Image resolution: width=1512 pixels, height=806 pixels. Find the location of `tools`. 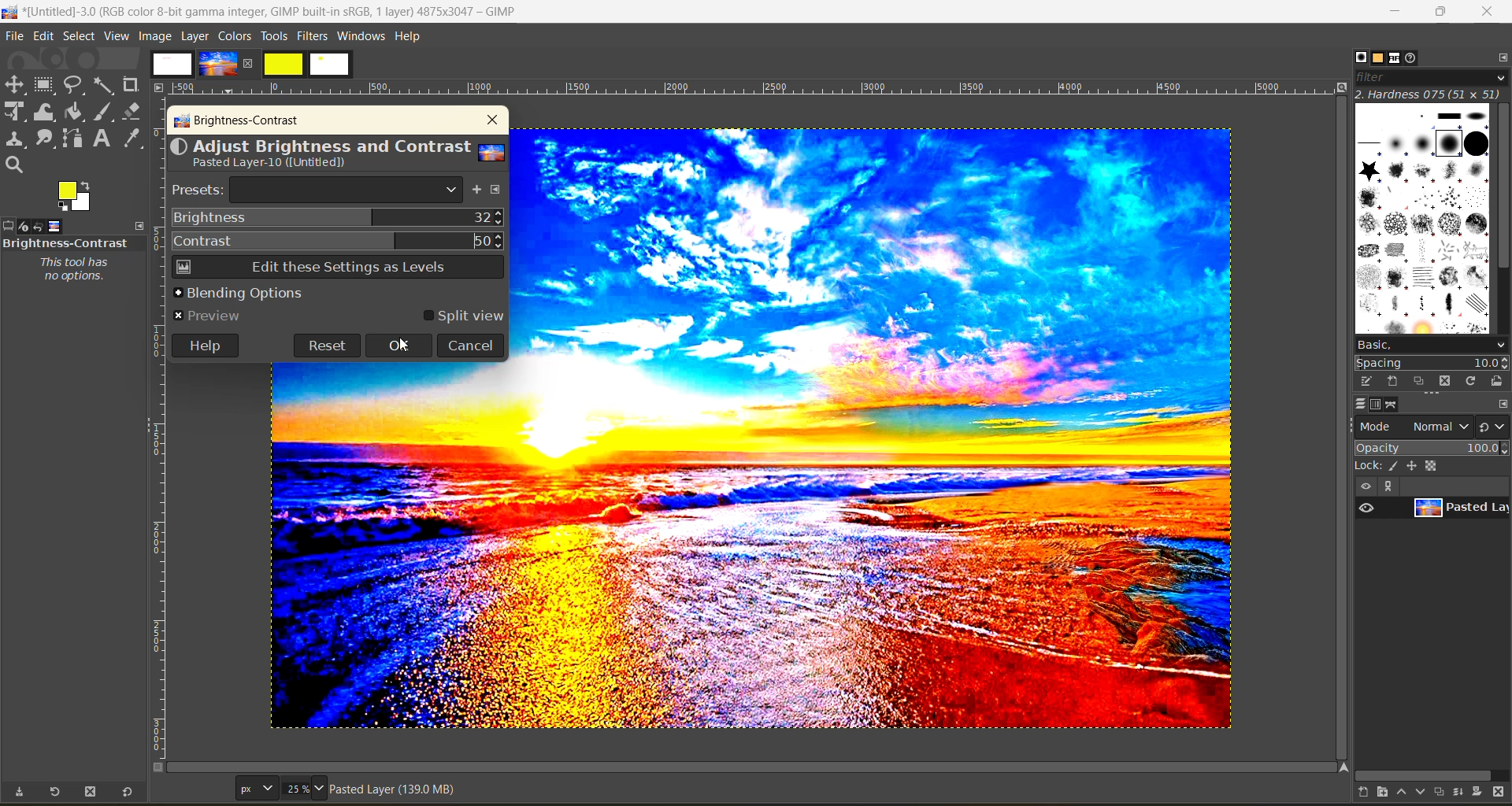

tools is located at coordinates (273, 38).